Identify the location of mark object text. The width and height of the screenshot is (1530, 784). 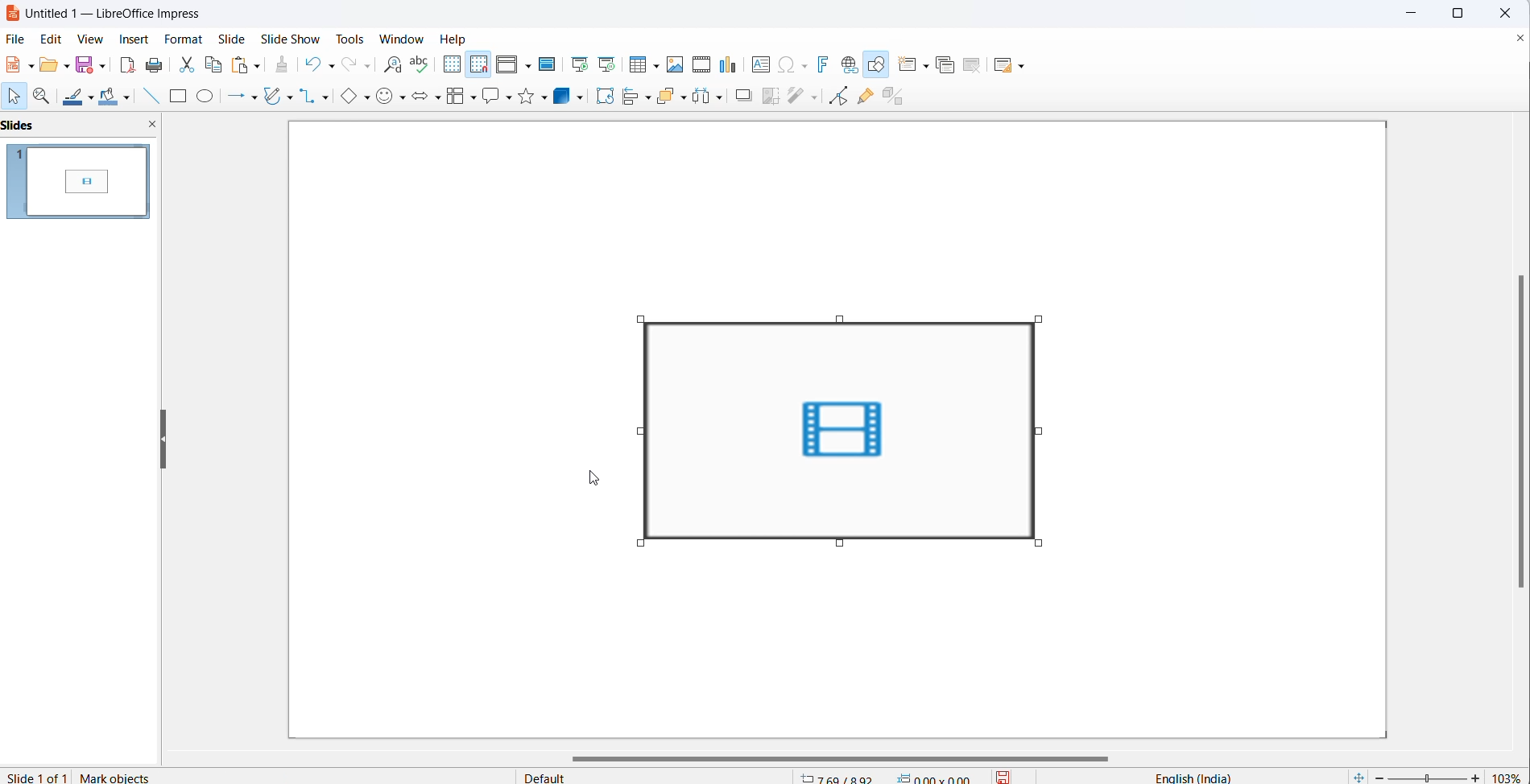
(130, 775).